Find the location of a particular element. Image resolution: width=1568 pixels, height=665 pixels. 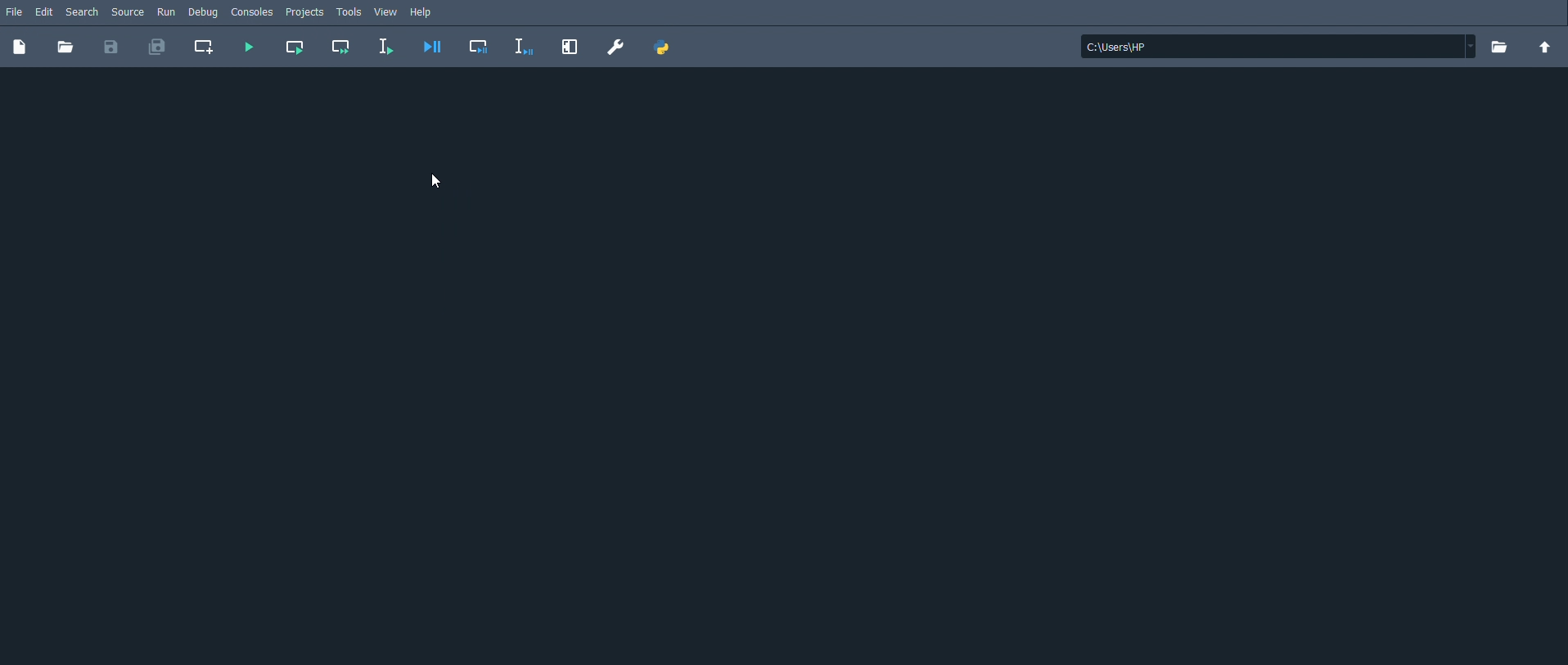

Help is located at coordinates (426, 12).